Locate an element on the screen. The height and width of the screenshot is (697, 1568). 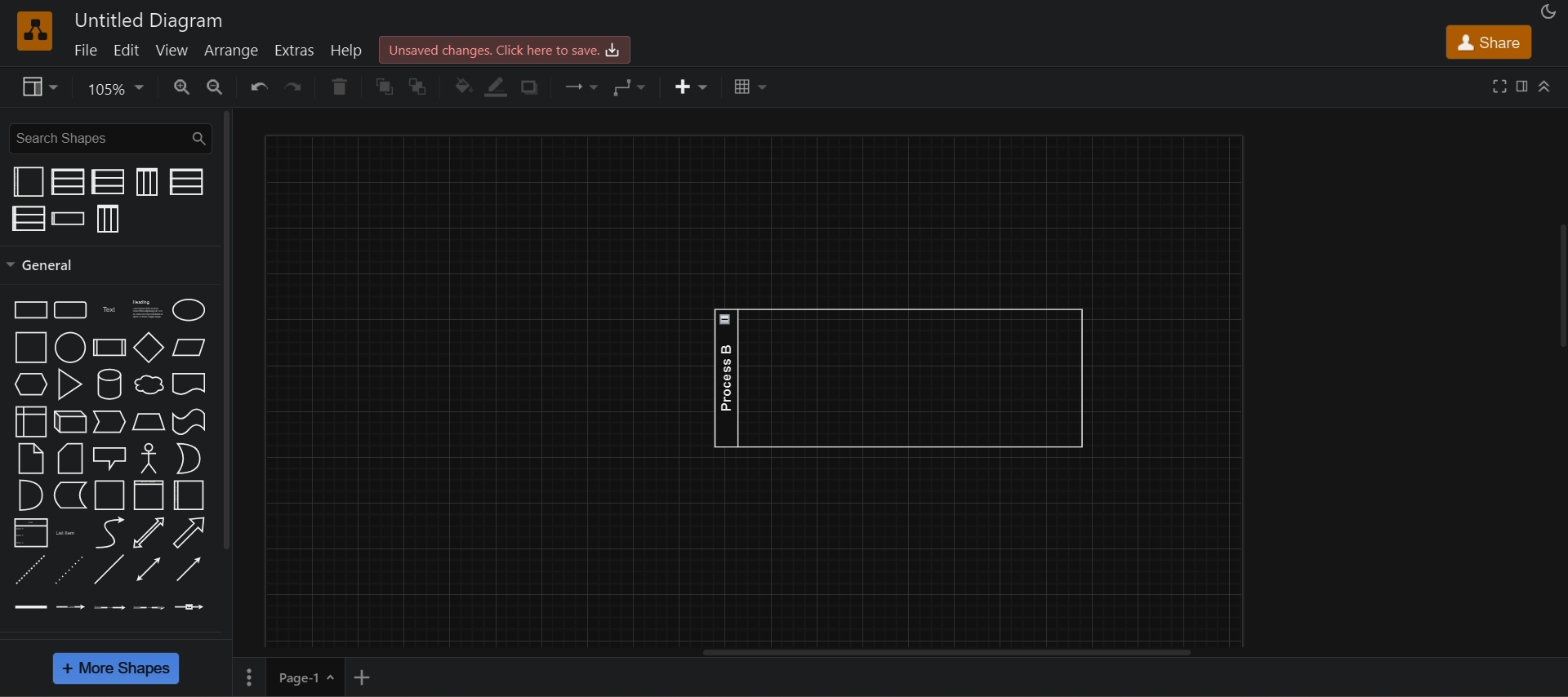
note is located at coordinates (32, 458).